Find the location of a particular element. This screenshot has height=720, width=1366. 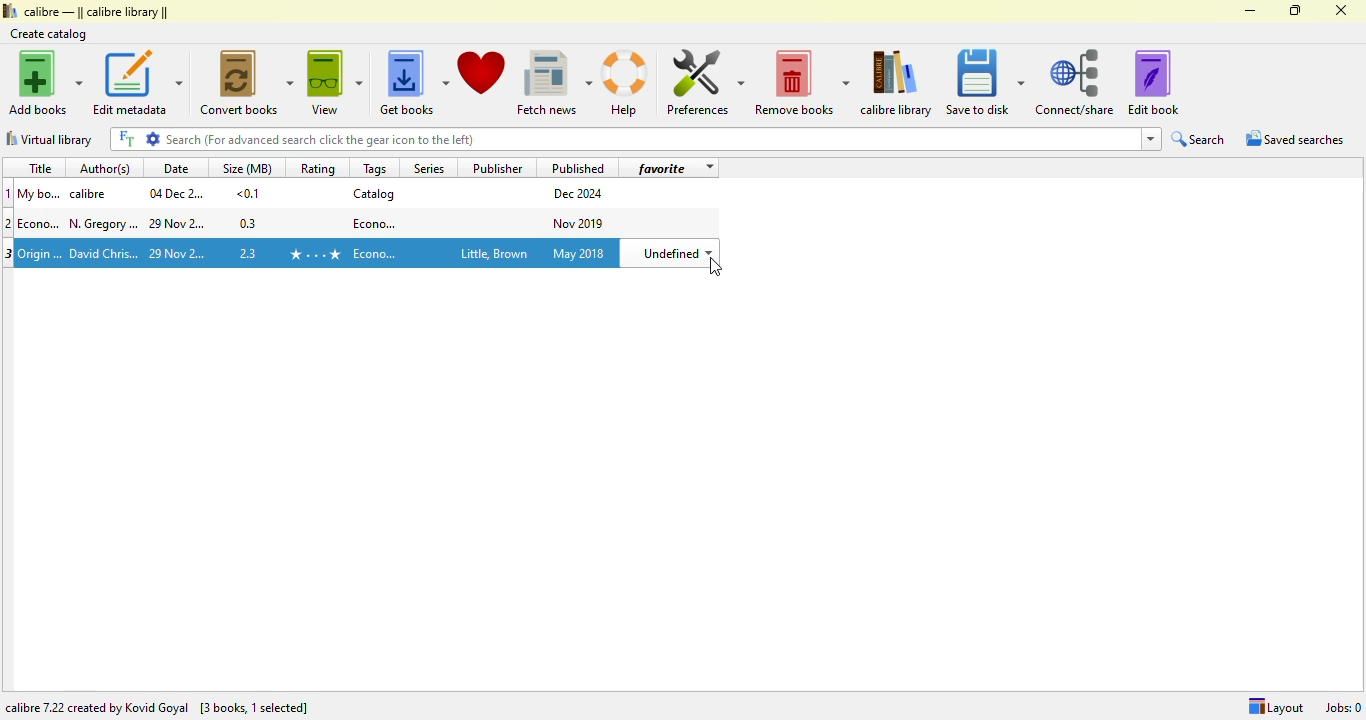

create catalog is located at coordinates (49, 34).